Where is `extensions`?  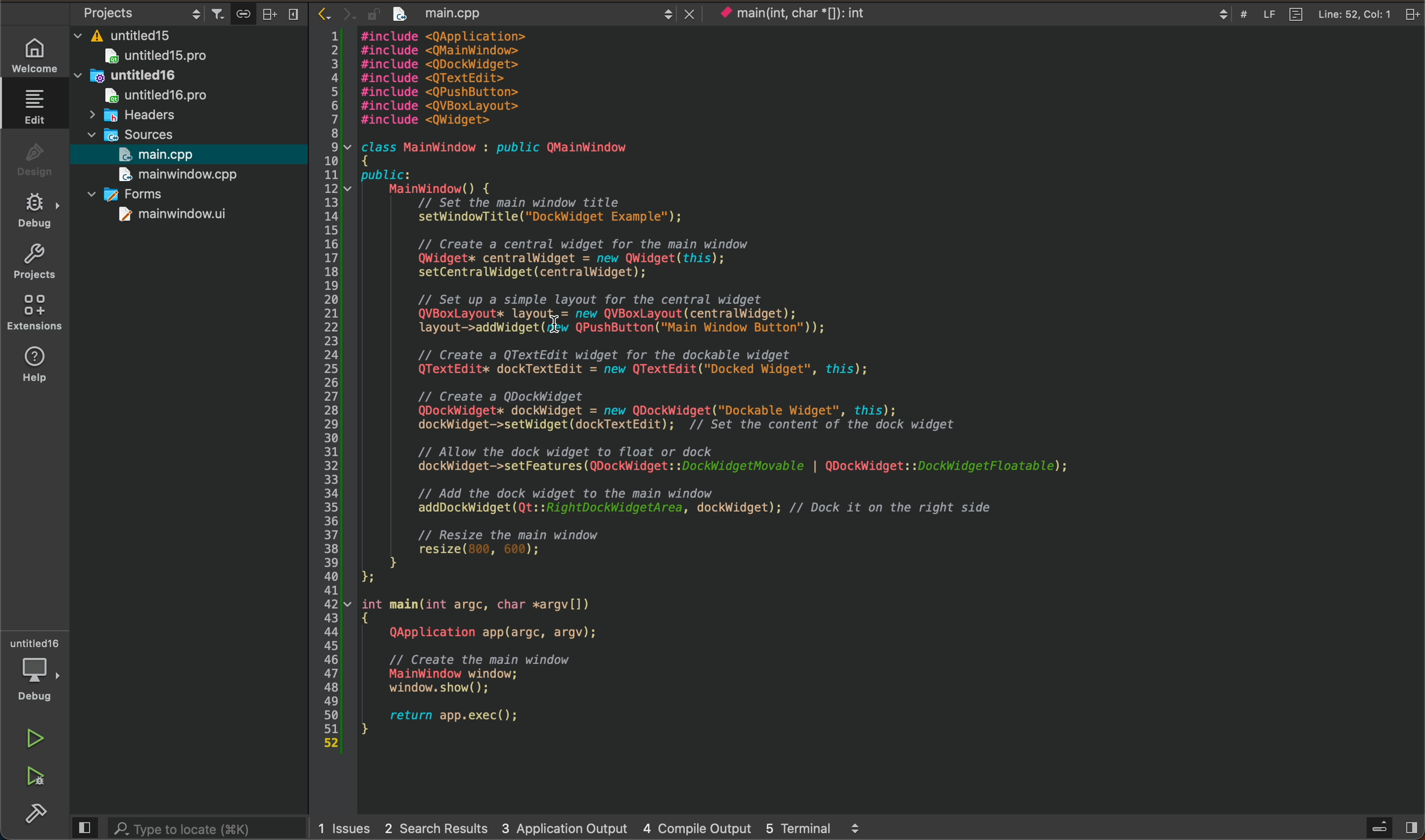
extensions is located at coordinates (35, 314).